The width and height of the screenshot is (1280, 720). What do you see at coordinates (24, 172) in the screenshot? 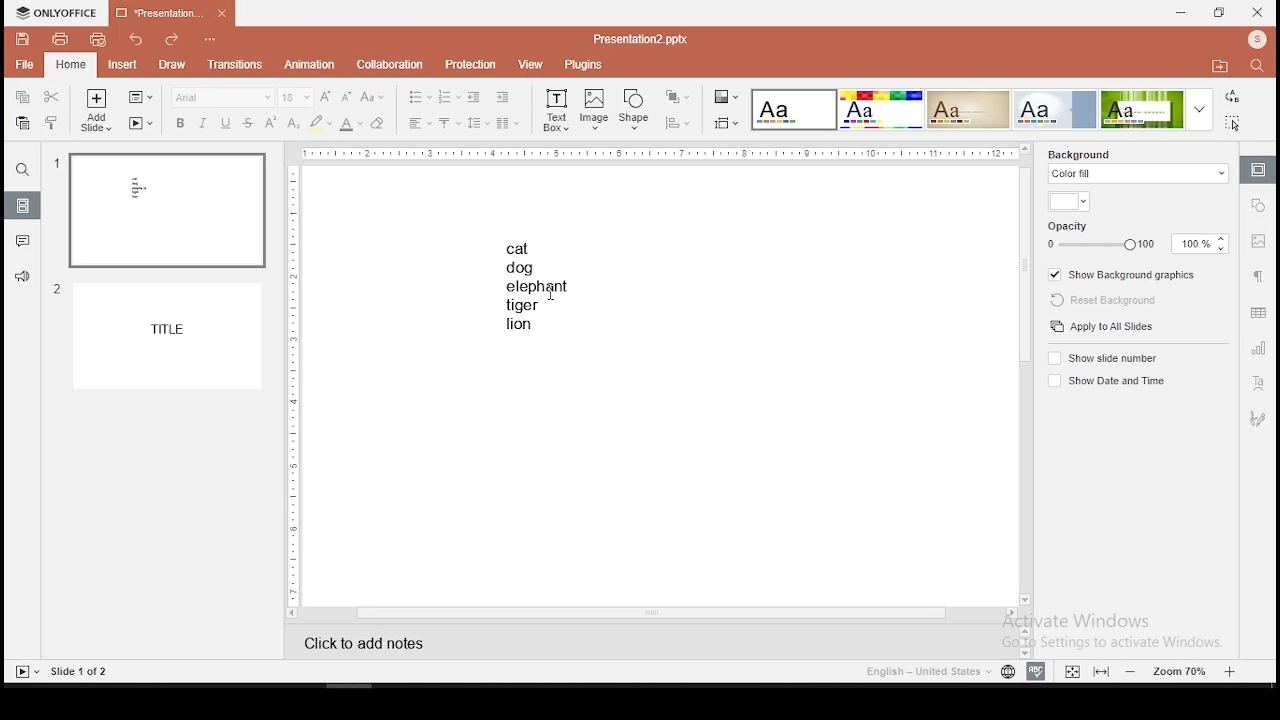
I see `find` at bounding box center [24, 172].